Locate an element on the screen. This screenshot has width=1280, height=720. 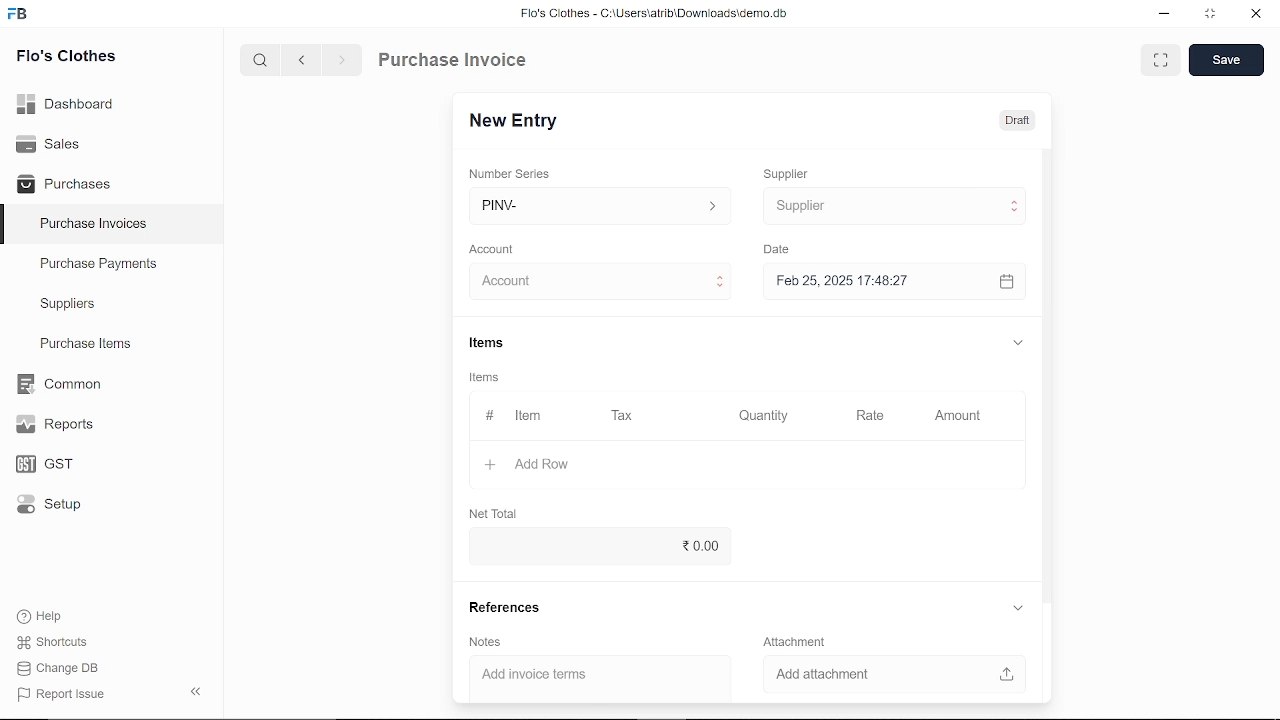
Suppliers is located at coordinates (68, 304).